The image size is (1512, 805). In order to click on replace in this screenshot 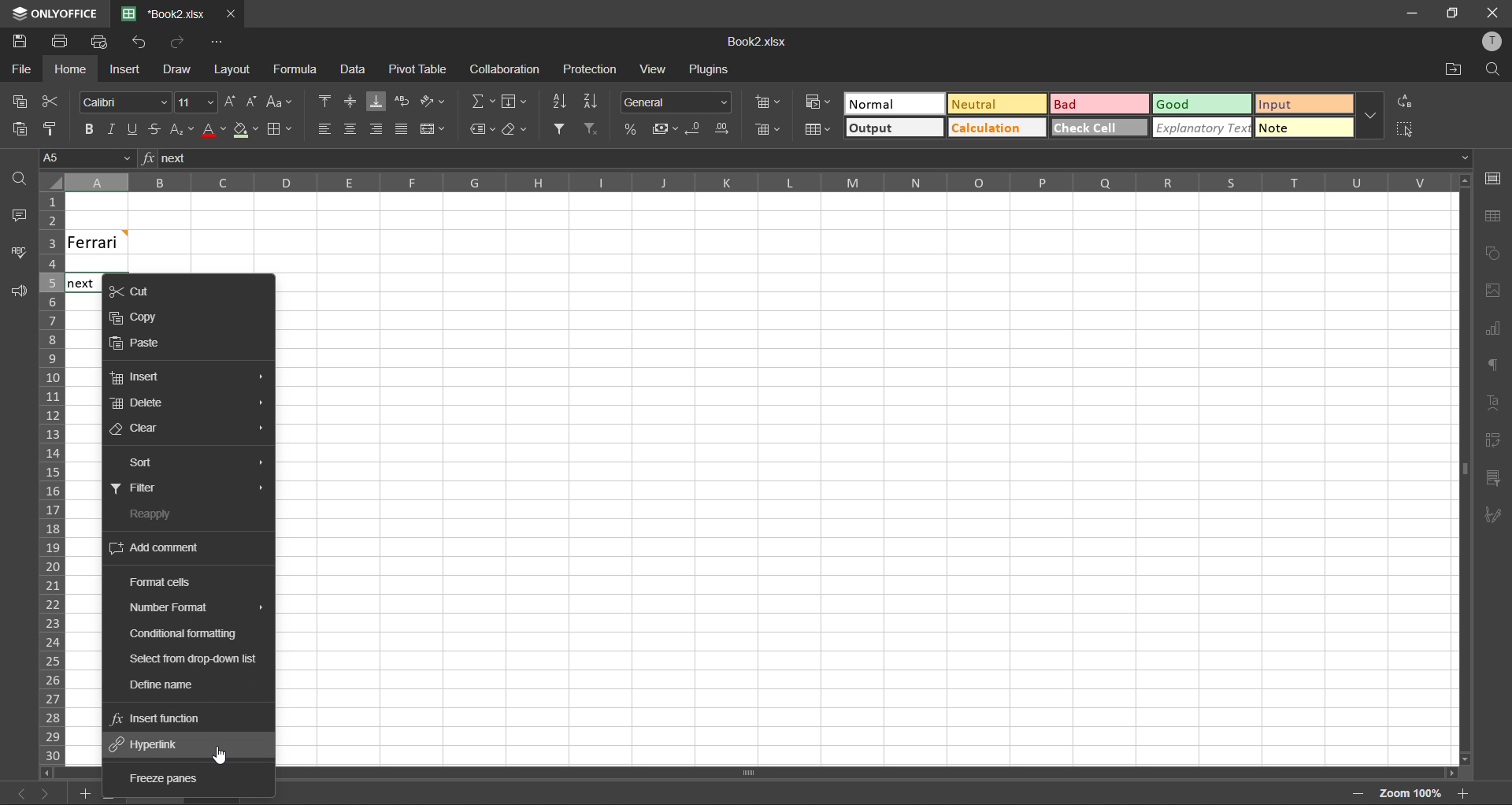, I will do `click(1403, 98)`.